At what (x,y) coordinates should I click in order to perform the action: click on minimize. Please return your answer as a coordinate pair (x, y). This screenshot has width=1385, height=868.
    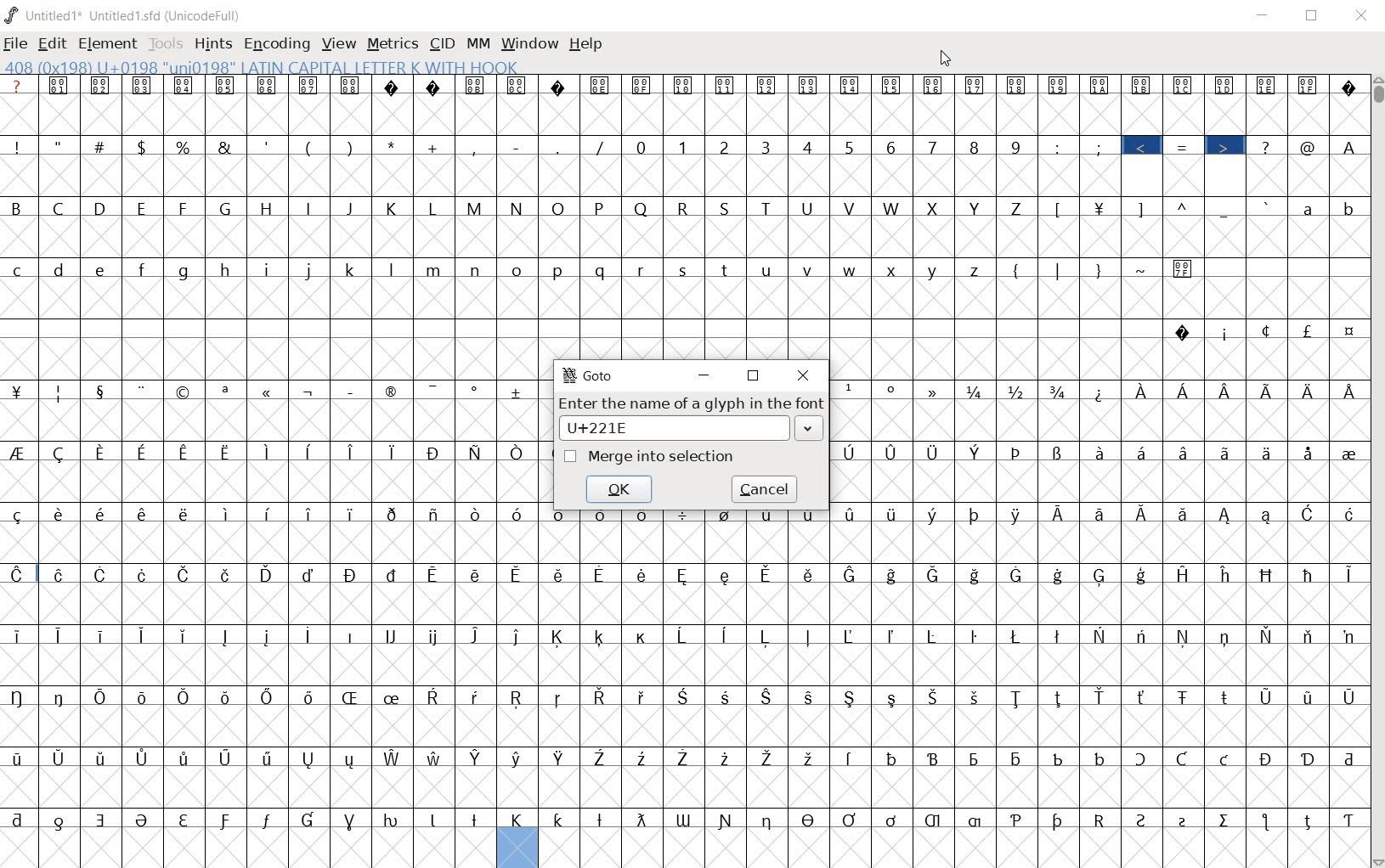
    Looking at the image, I should click on (708, 376).